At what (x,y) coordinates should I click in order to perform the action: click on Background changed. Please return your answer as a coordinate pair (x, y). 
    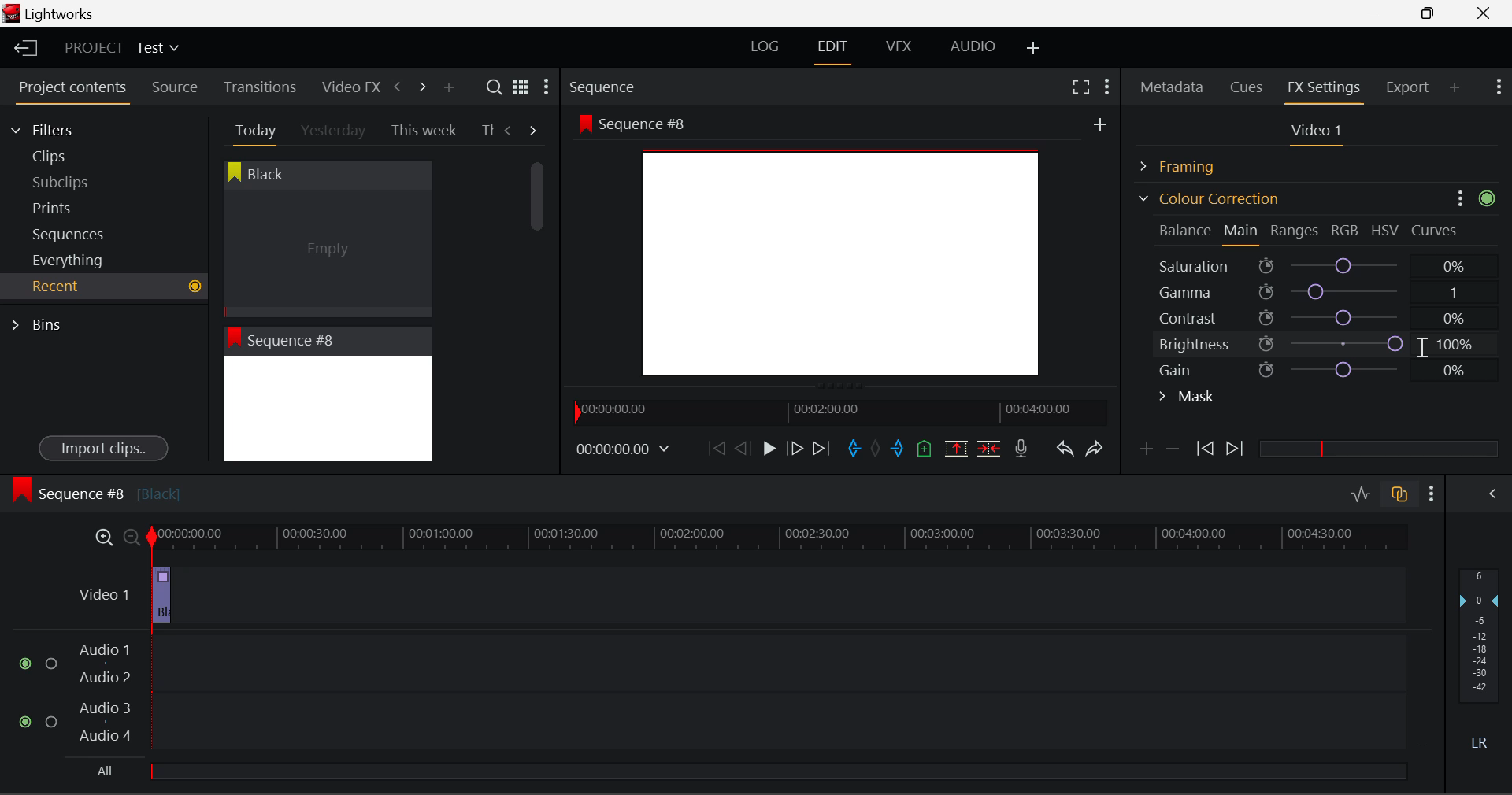
    Looking at the image, I should click on (843, 251).